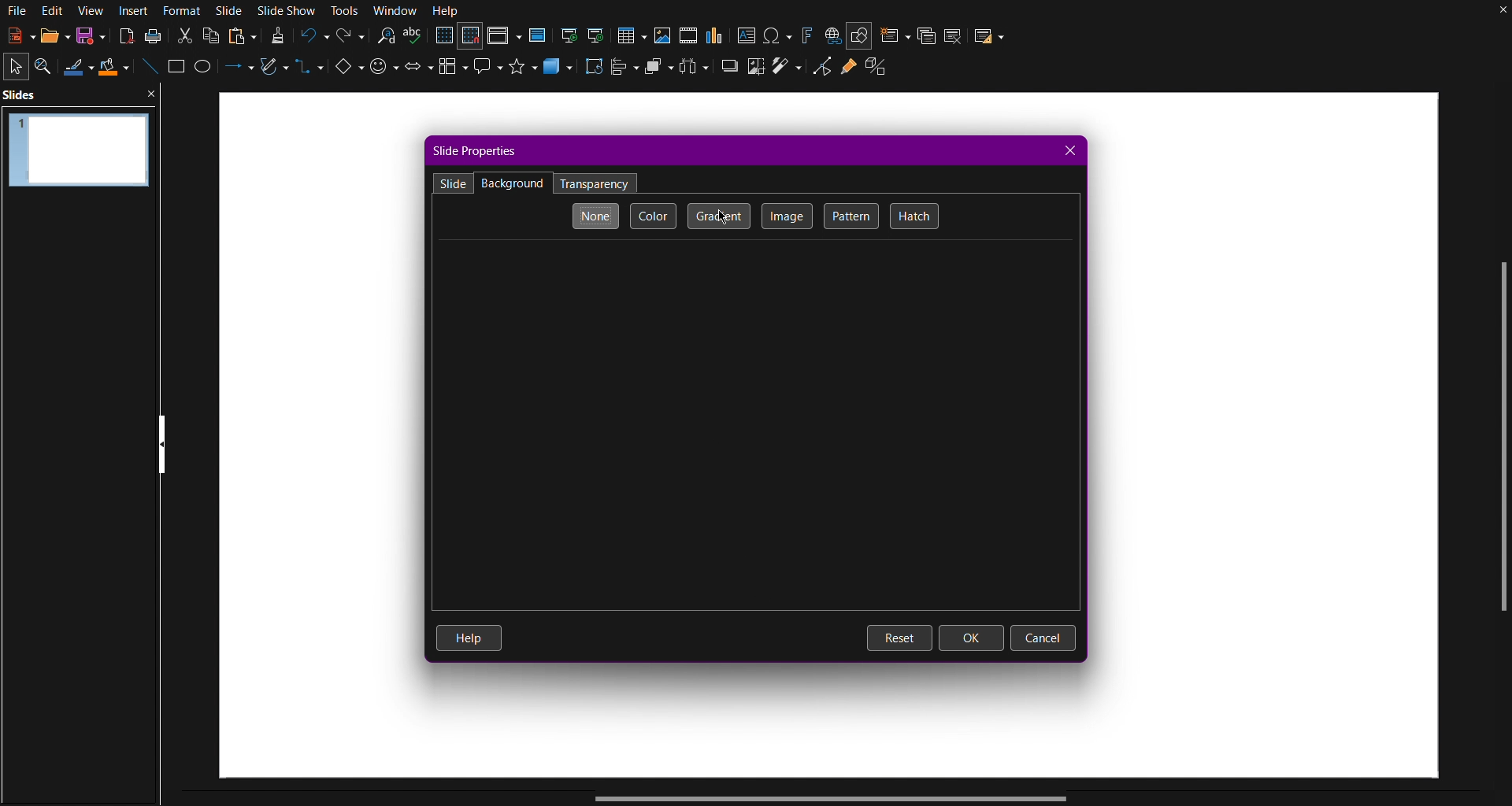  What do you see at coordinates (87, 38) in the screenshot?
I see `Save` at bounding box center [87, 38].